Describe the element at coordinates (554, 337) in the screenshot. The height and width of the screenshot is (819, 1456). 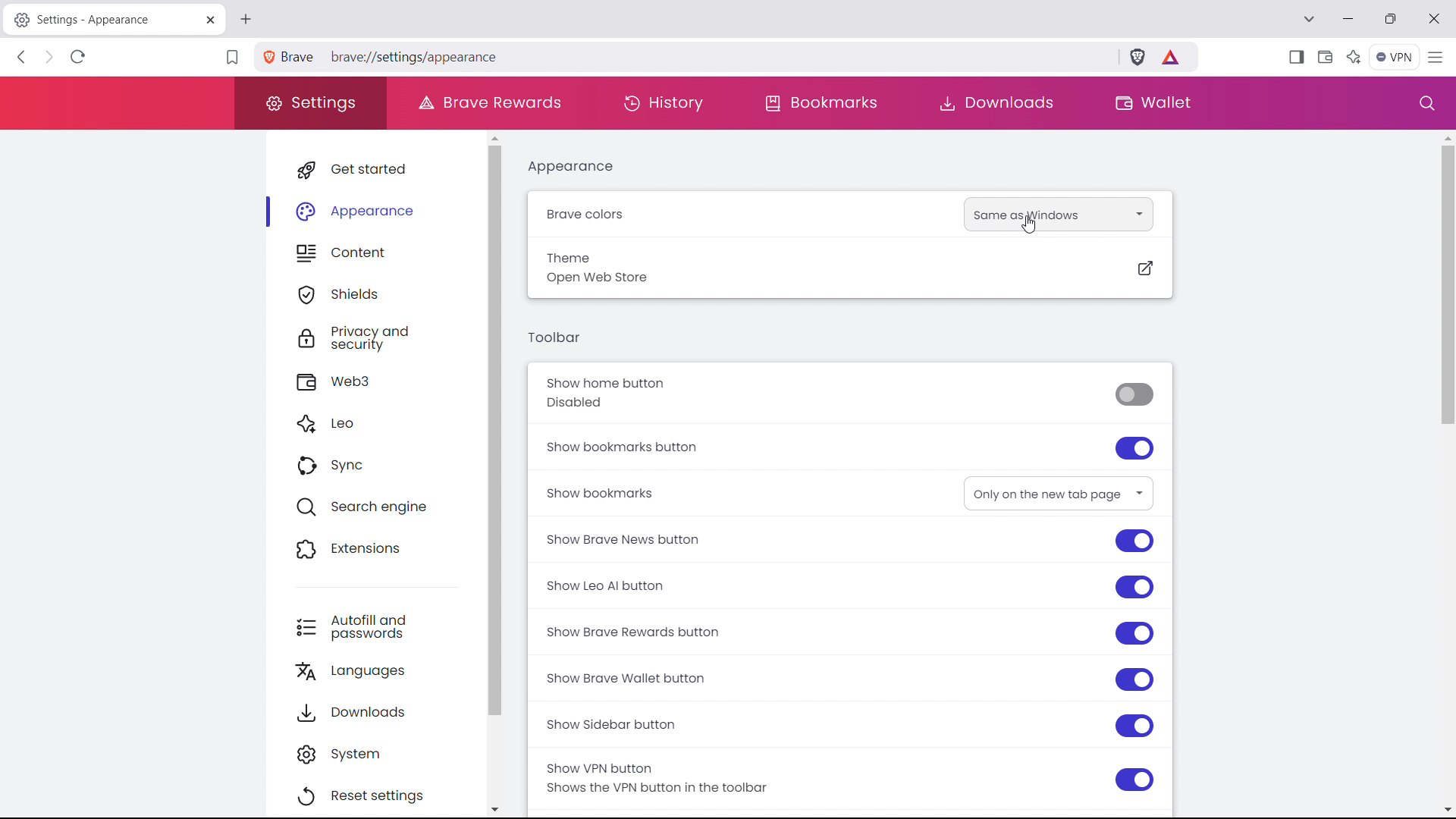
I see `toolbar` at that location.